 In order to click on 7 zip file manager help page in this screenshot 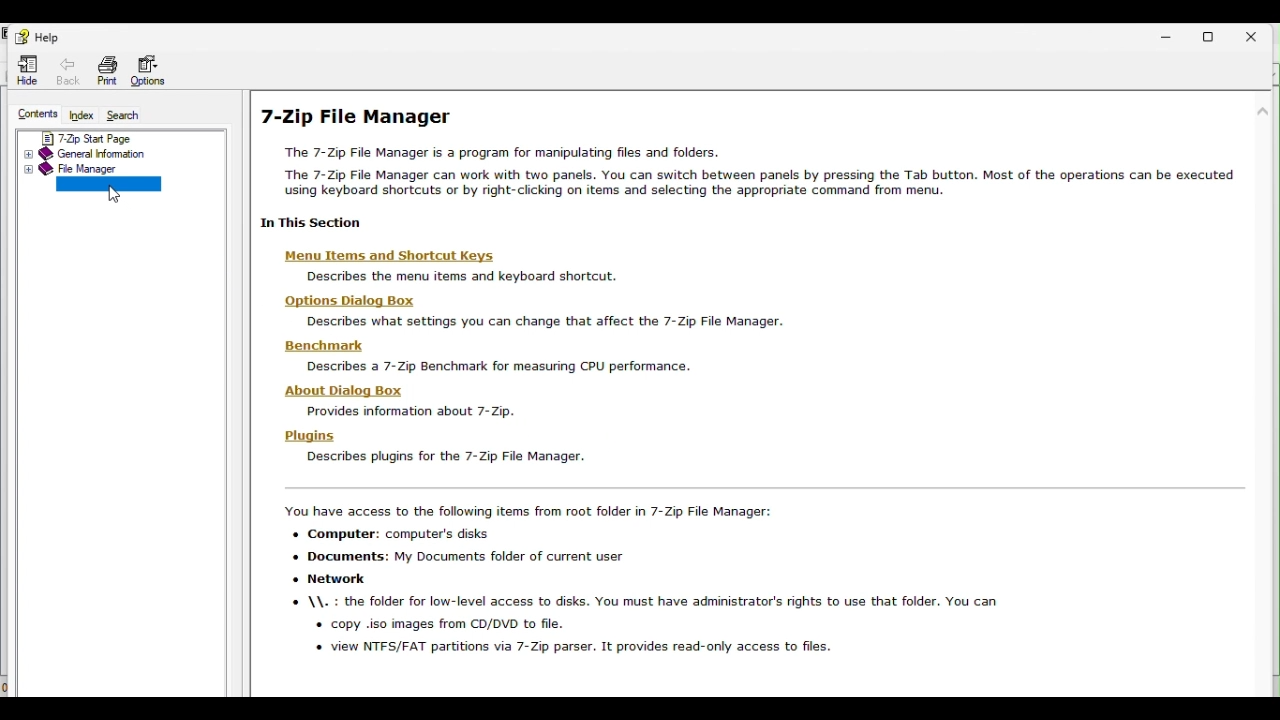, I will do `click(766, 164)`.